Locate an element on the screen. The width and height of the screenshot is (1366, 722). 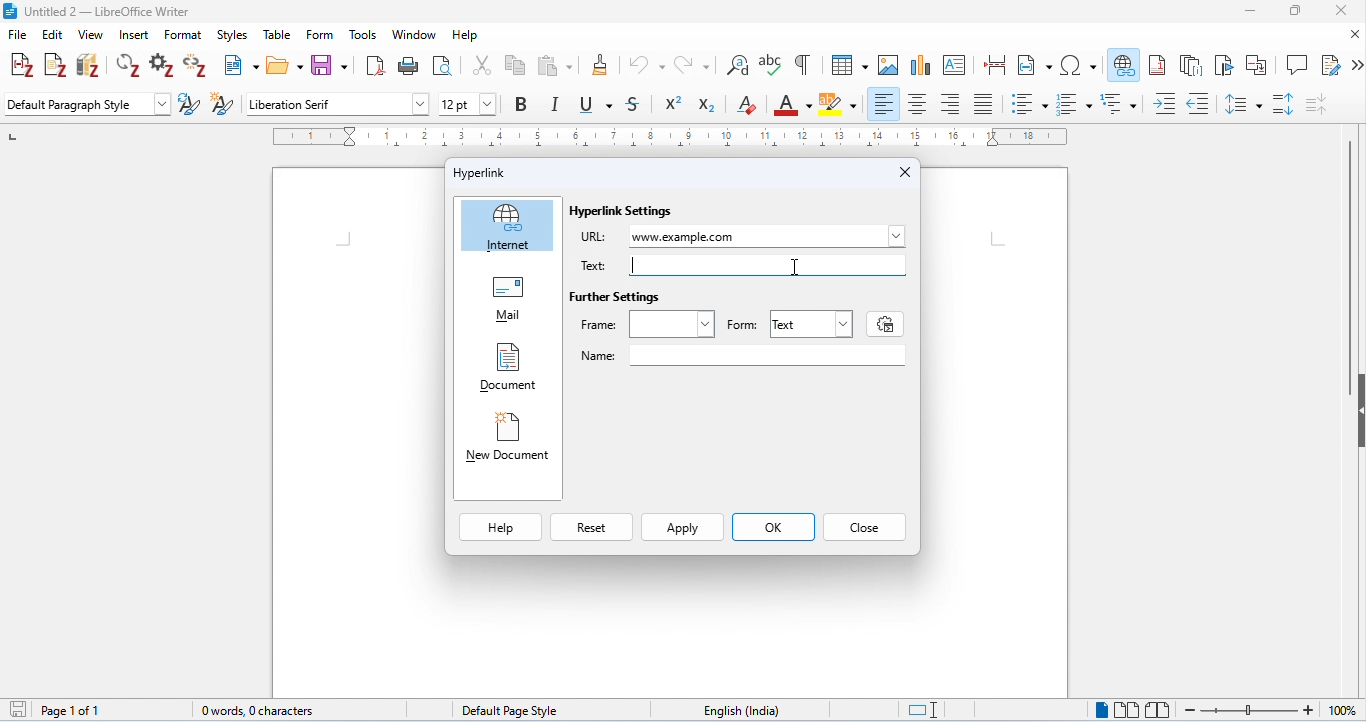
Text is located at coordinates (812, 322).